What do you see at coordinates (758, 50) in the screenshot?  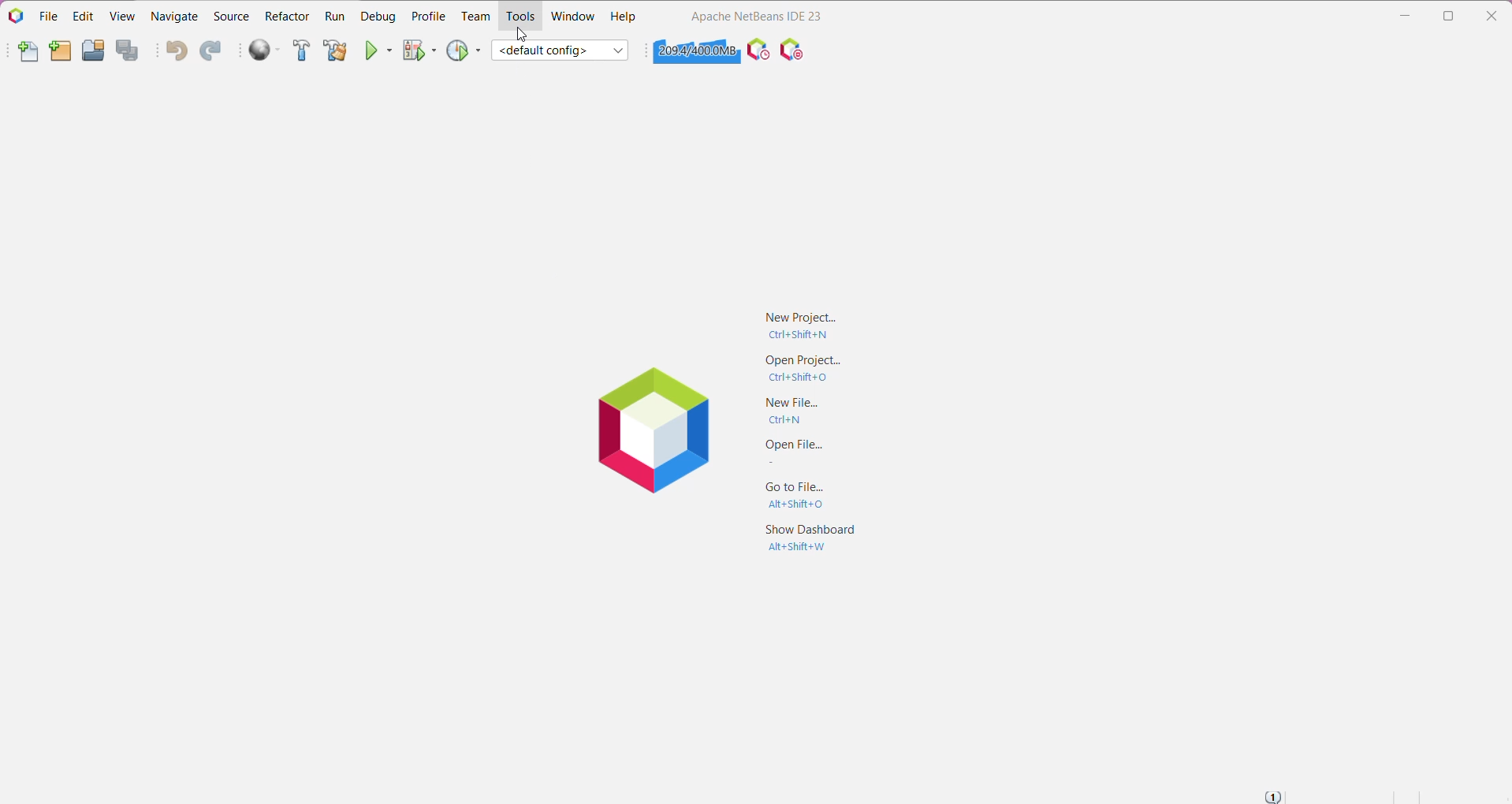 I see `Profile the IDE` at bounding box center [758, 50].